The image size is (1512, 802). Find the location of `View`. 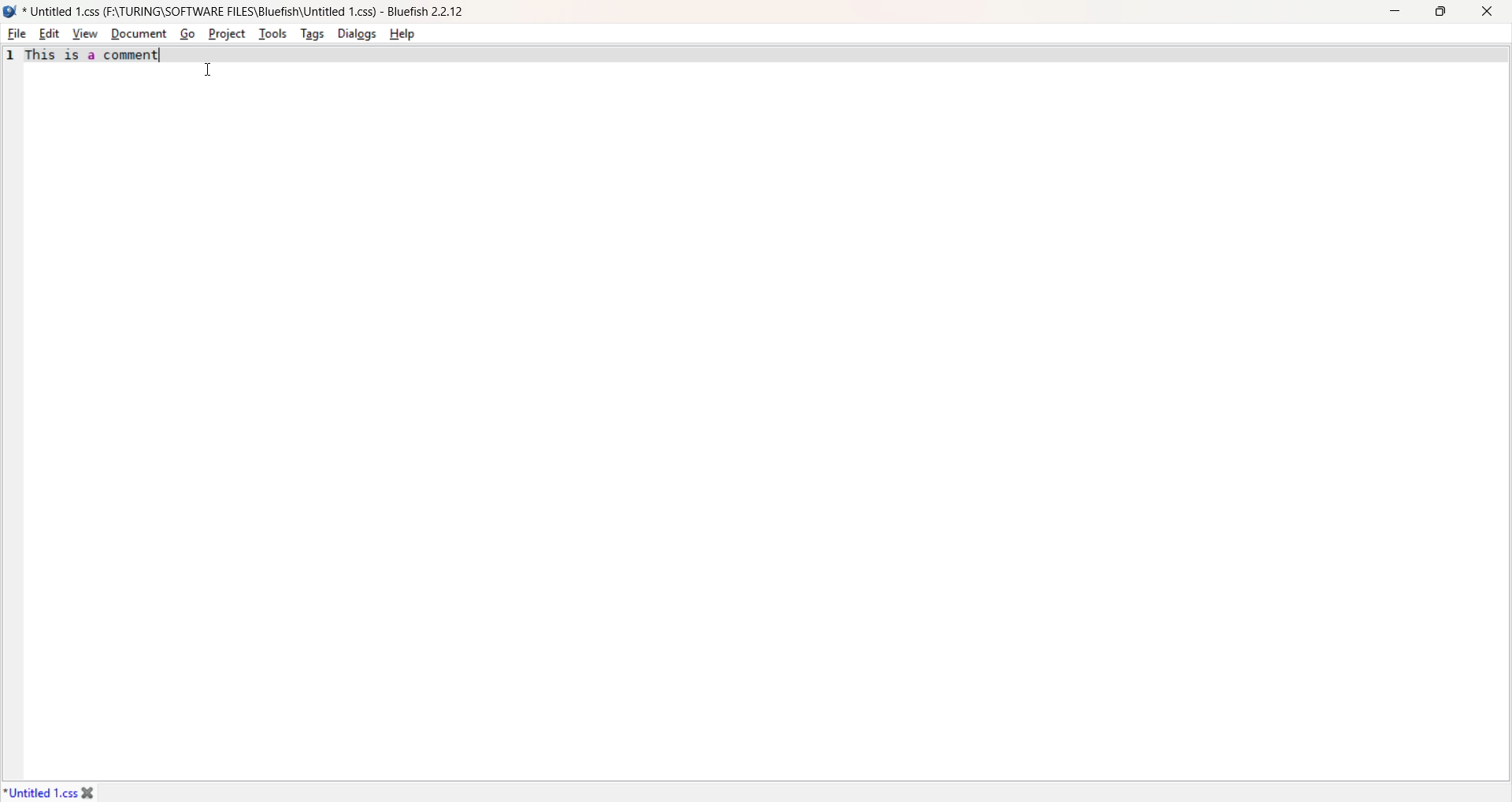

View is located at coordinates (82, 33).